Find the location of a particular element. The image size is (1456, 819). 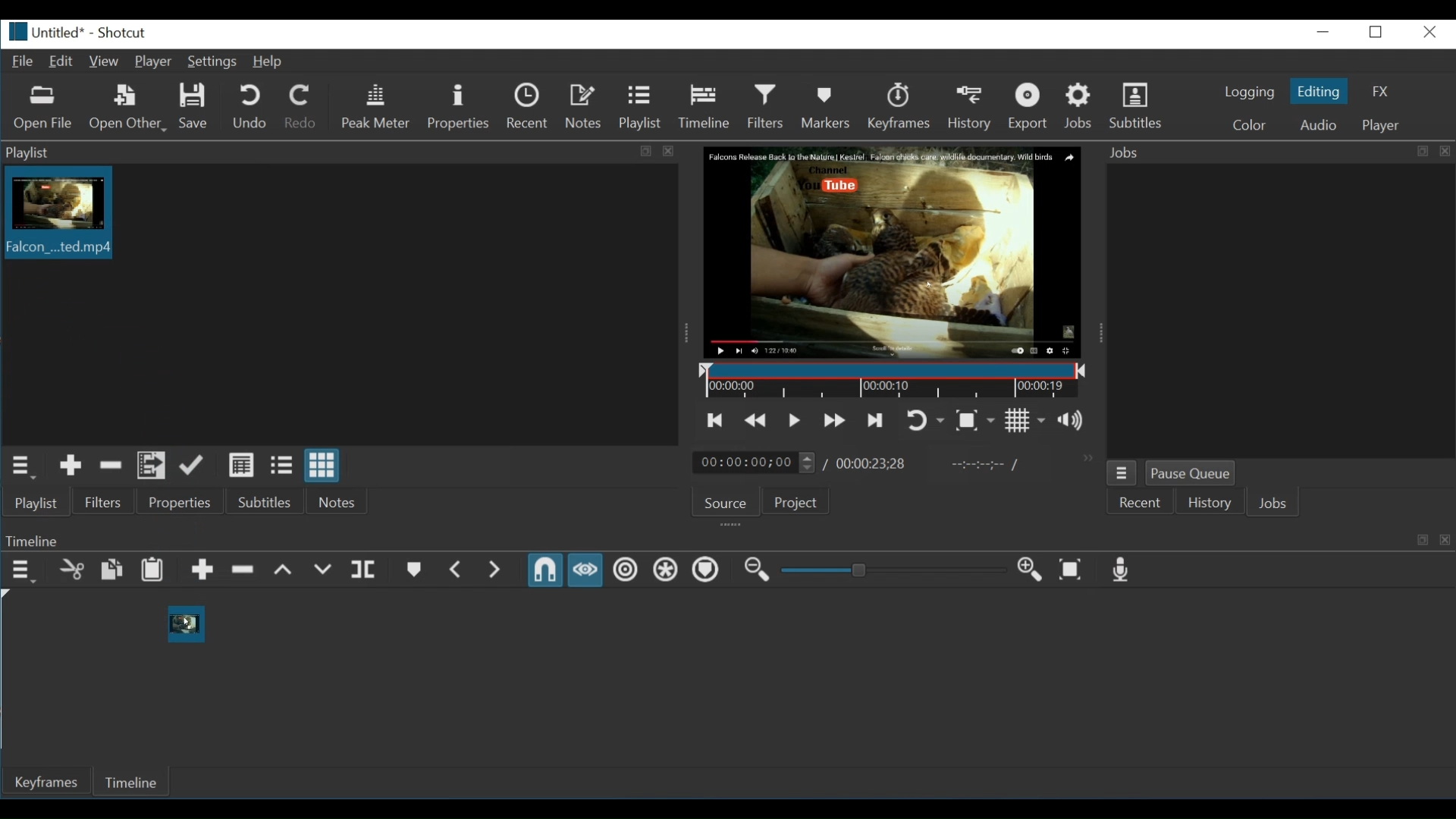

Project is located at coordinates (799, 502).